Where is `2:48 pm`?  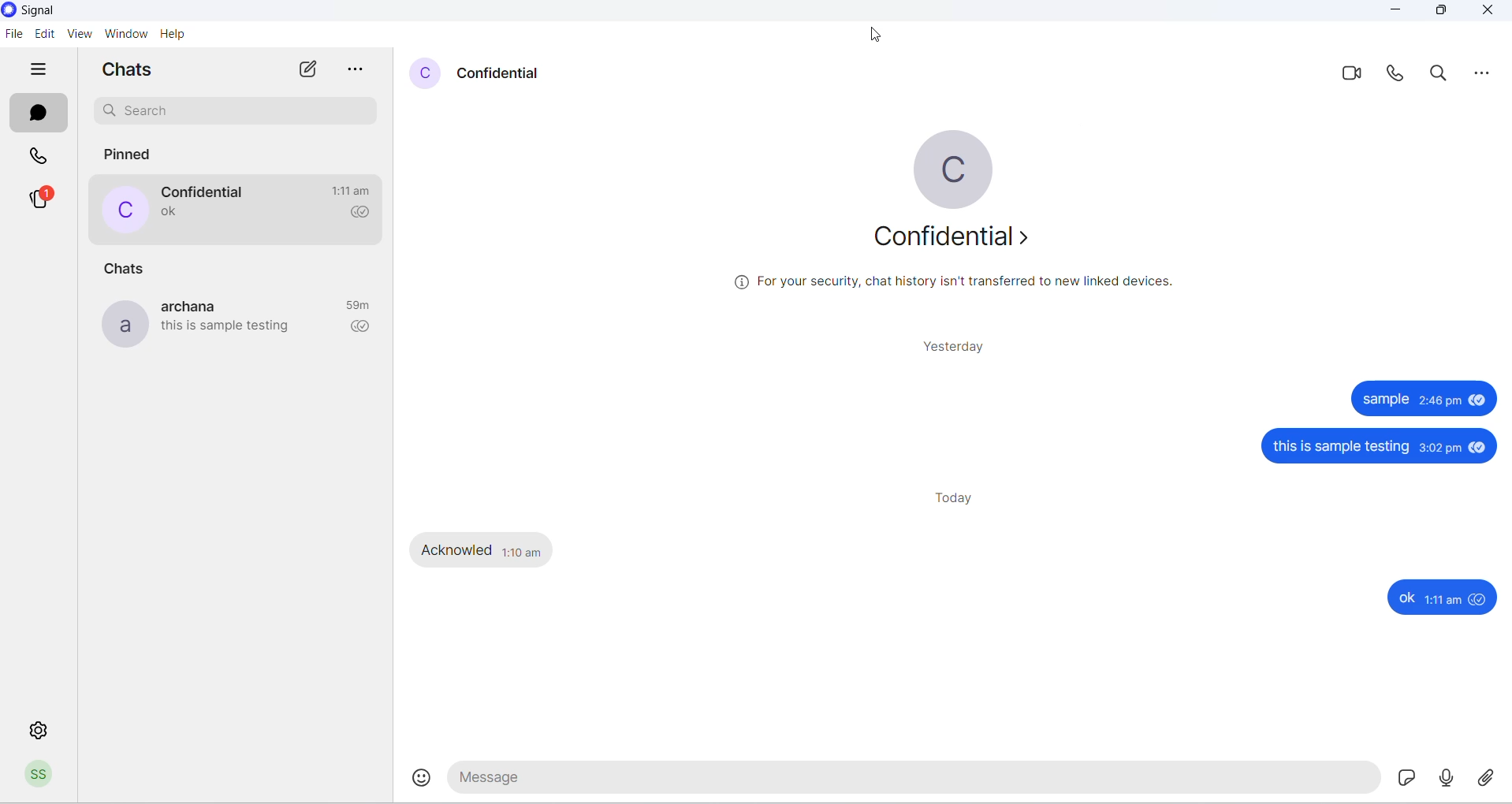
2:48 pm is located at coordinates (1440, 401).